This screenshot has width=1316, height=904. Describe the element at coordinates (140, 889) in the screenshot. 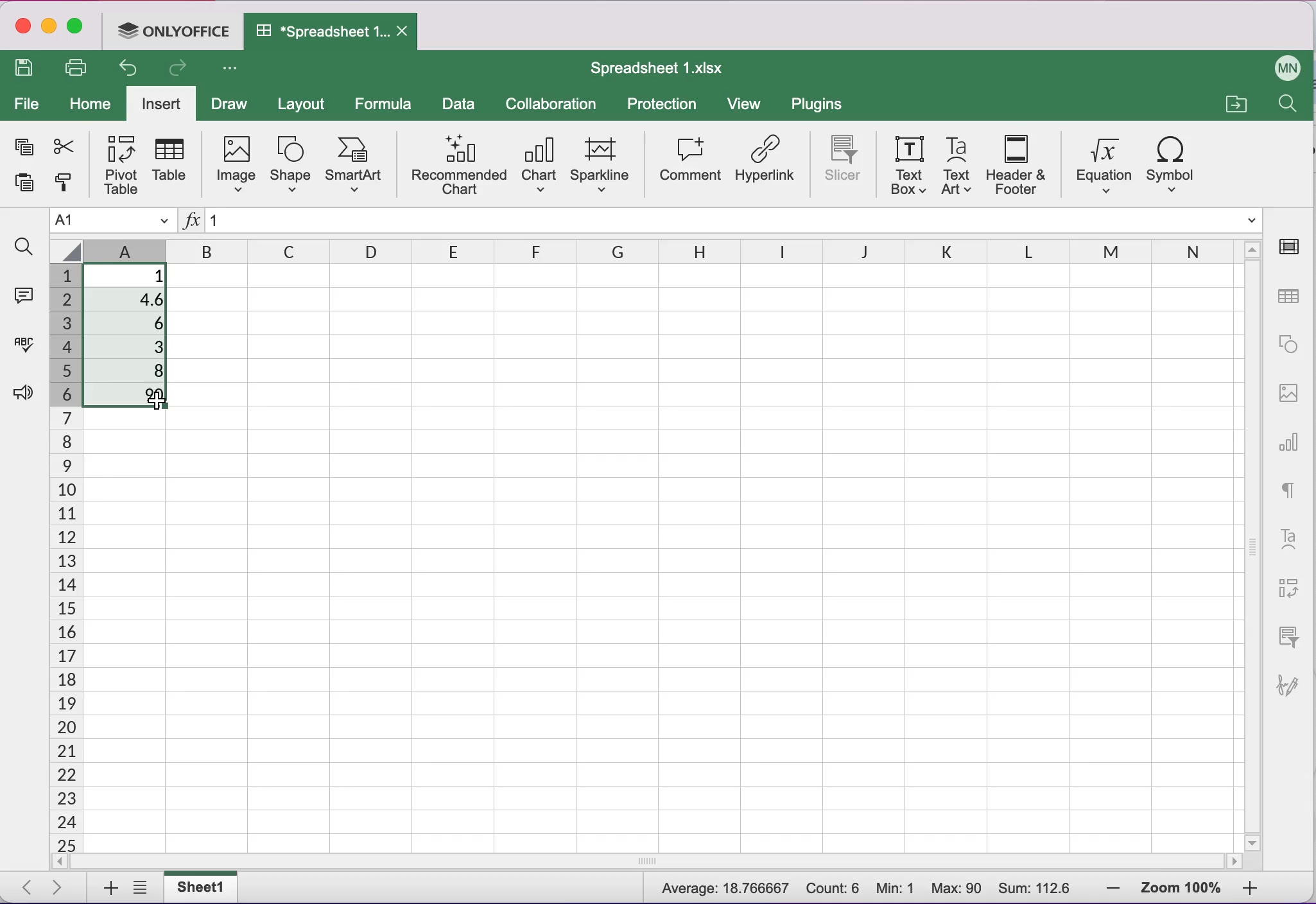

I see `list of sheets` at that location.